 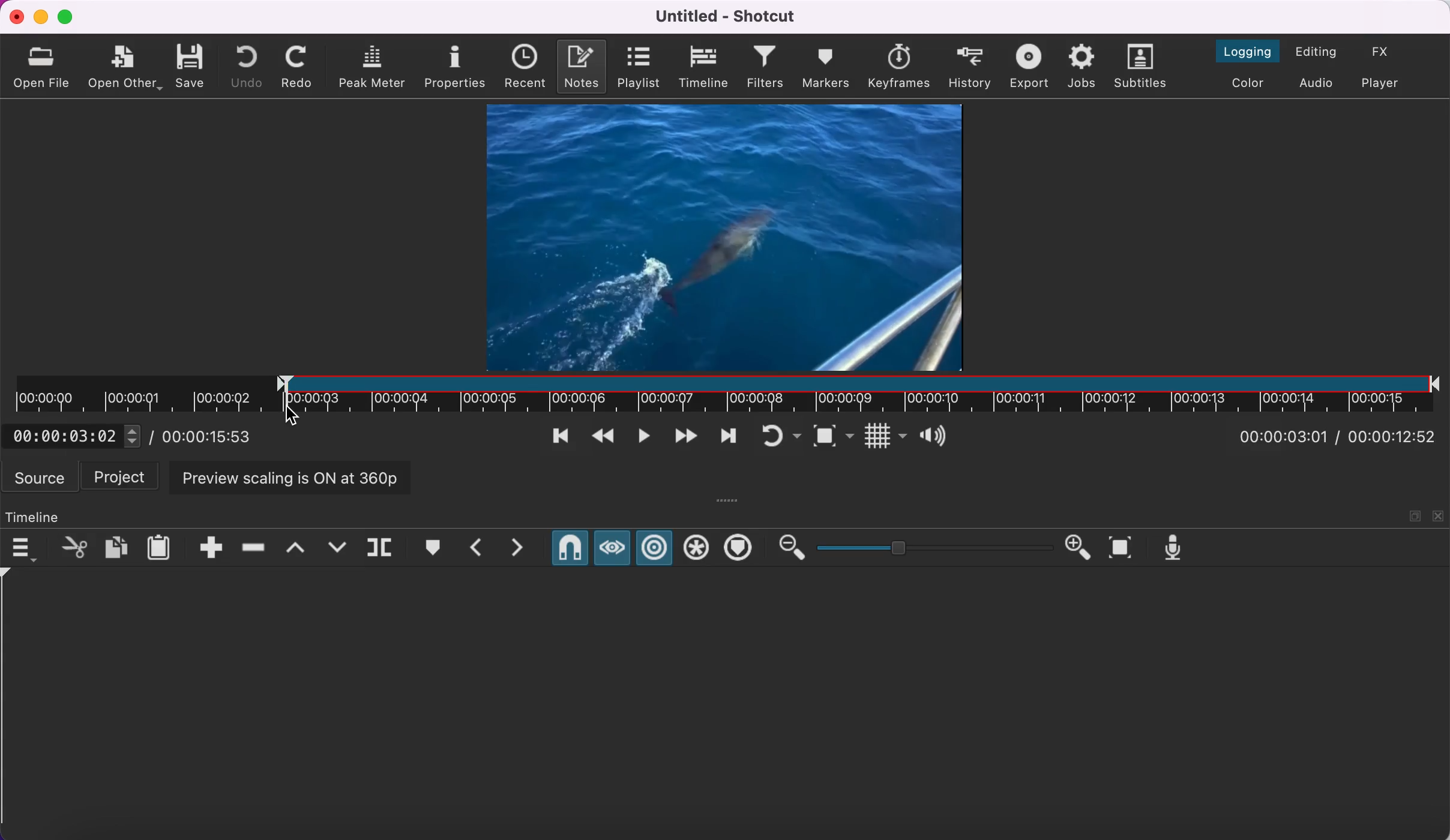 I want to click on ripple delete, so click(x=252, y=548).